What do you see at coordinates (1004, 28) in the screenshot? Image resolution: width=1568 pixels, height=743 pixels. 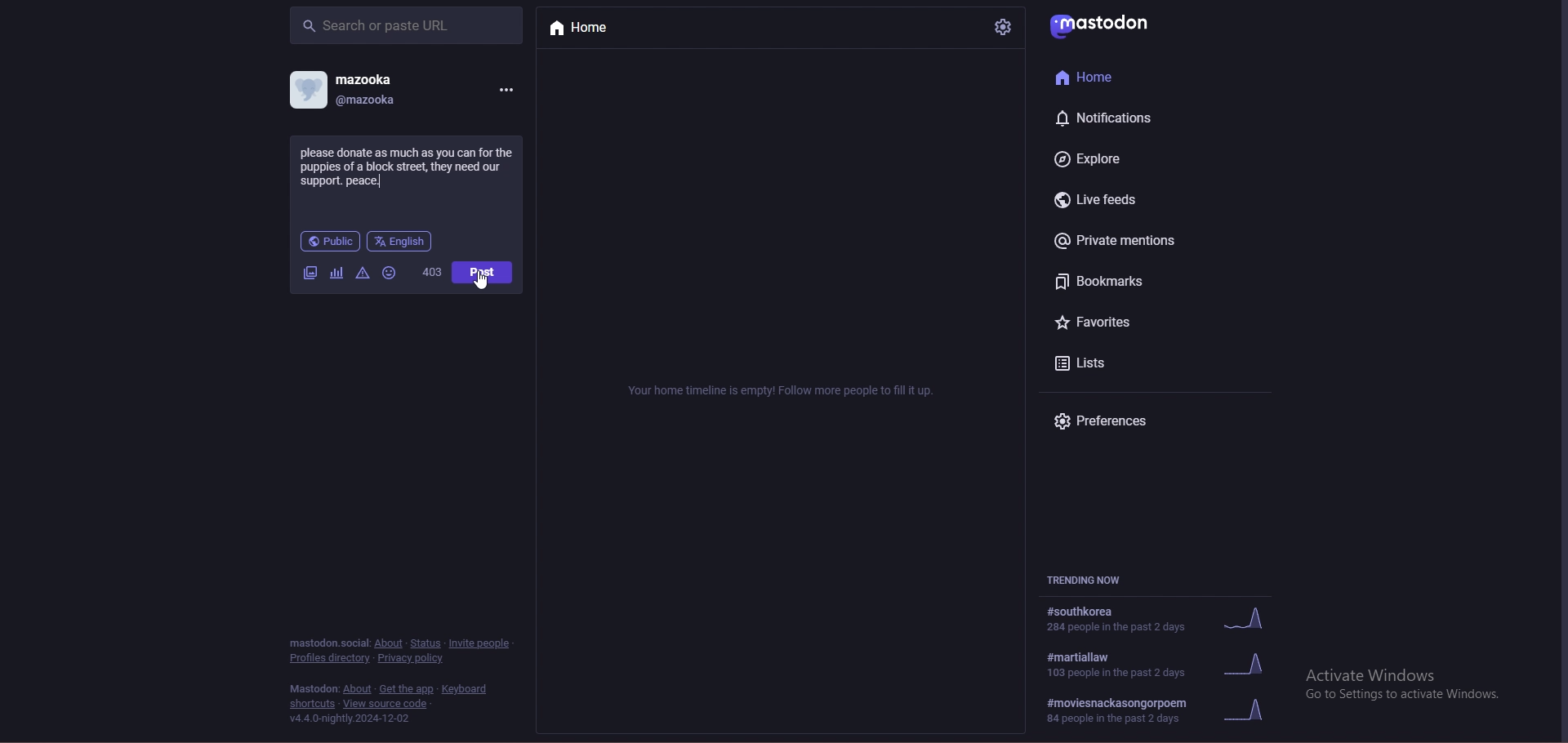 I see `settings` at bounding box center [1004, 28].